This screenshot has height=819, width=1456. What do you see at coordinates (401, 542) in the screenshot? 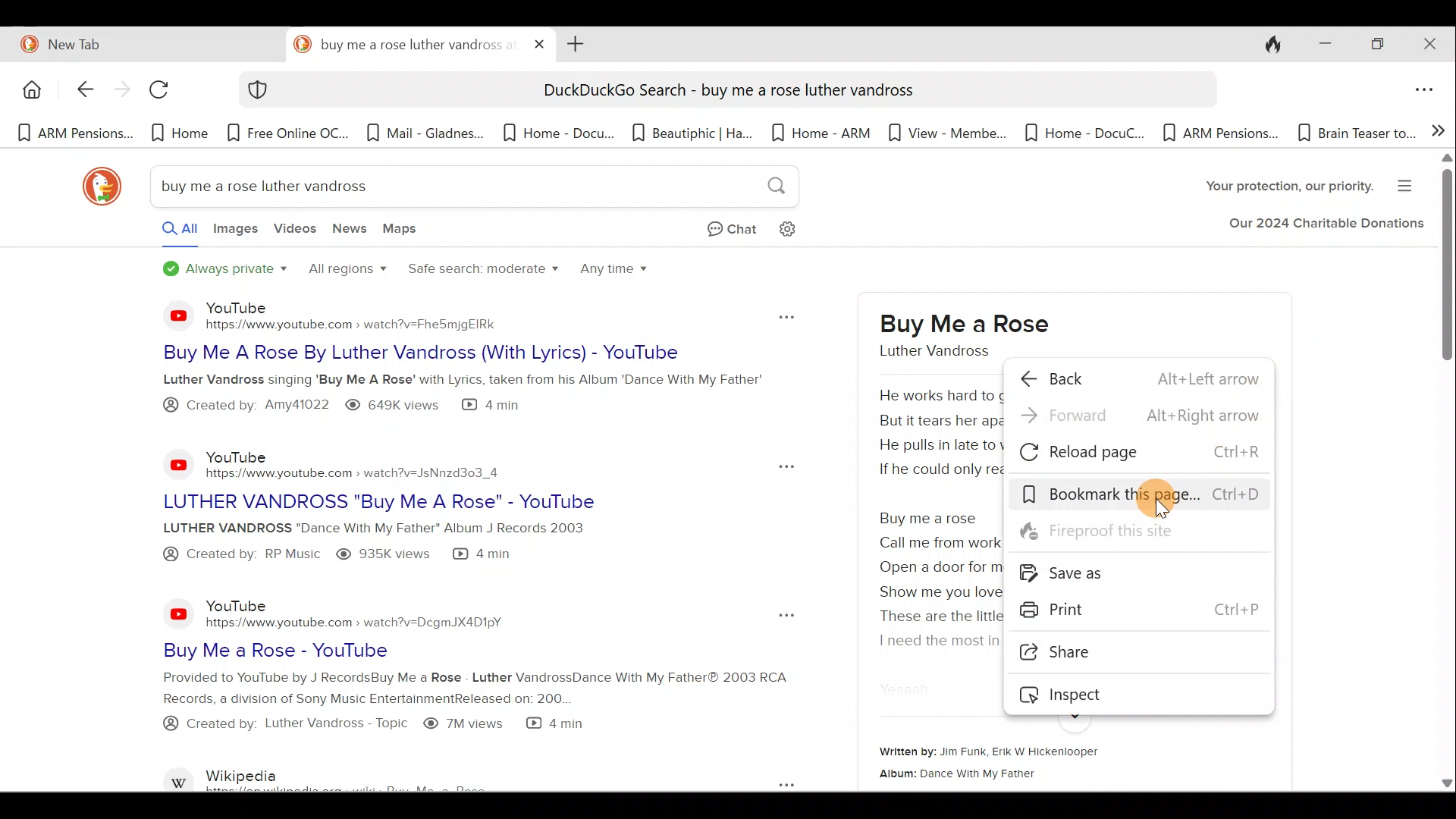
I see `LUTHER VANDROSS "Dance With My Father" Album J Records 2003
@® Created by: RP Music ® 935K views (® 4 min` at bounding box center [401, 542].